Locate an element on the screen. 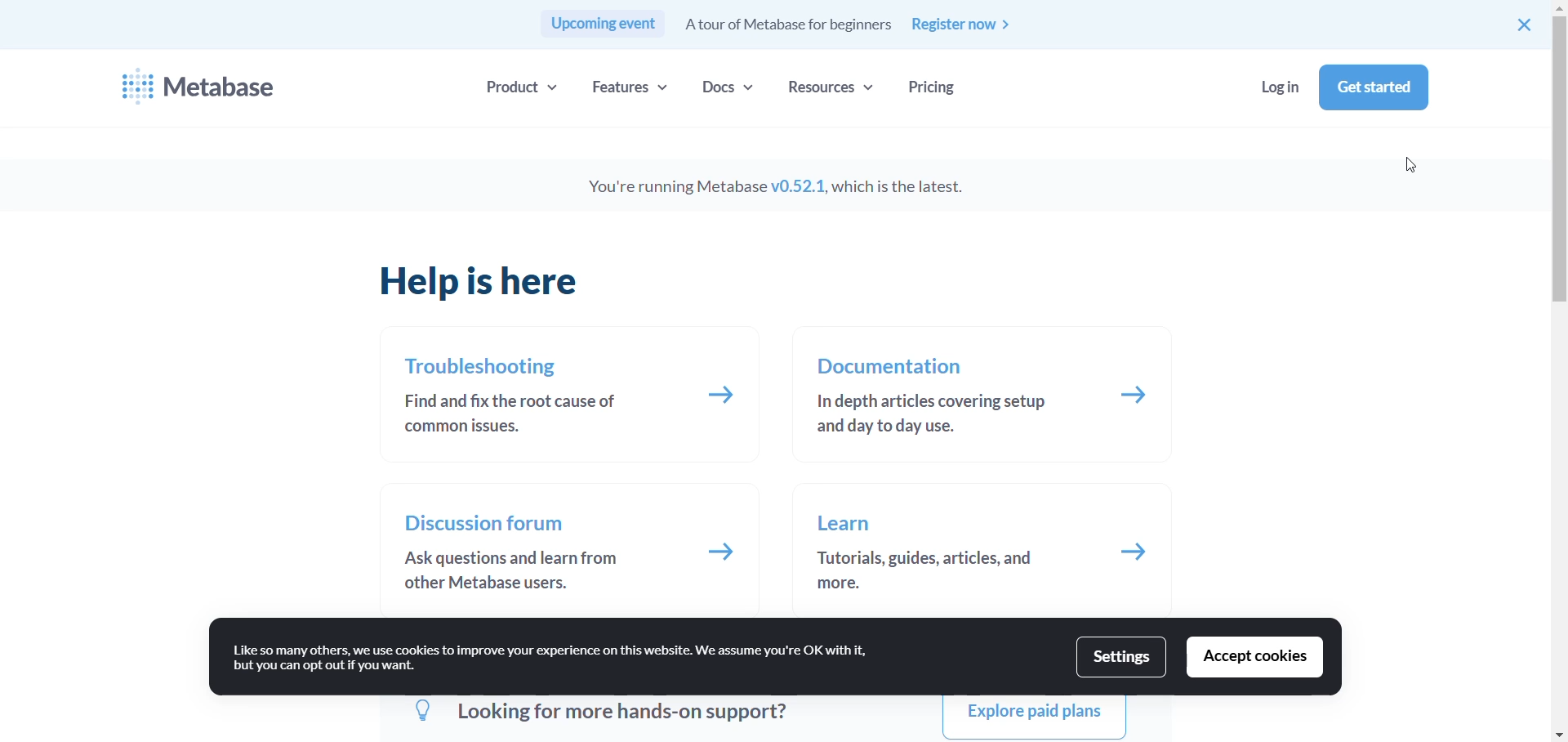 The height and width of the screenshot is (742, 1568). documentation help button is located at coordinates (1139, 395).